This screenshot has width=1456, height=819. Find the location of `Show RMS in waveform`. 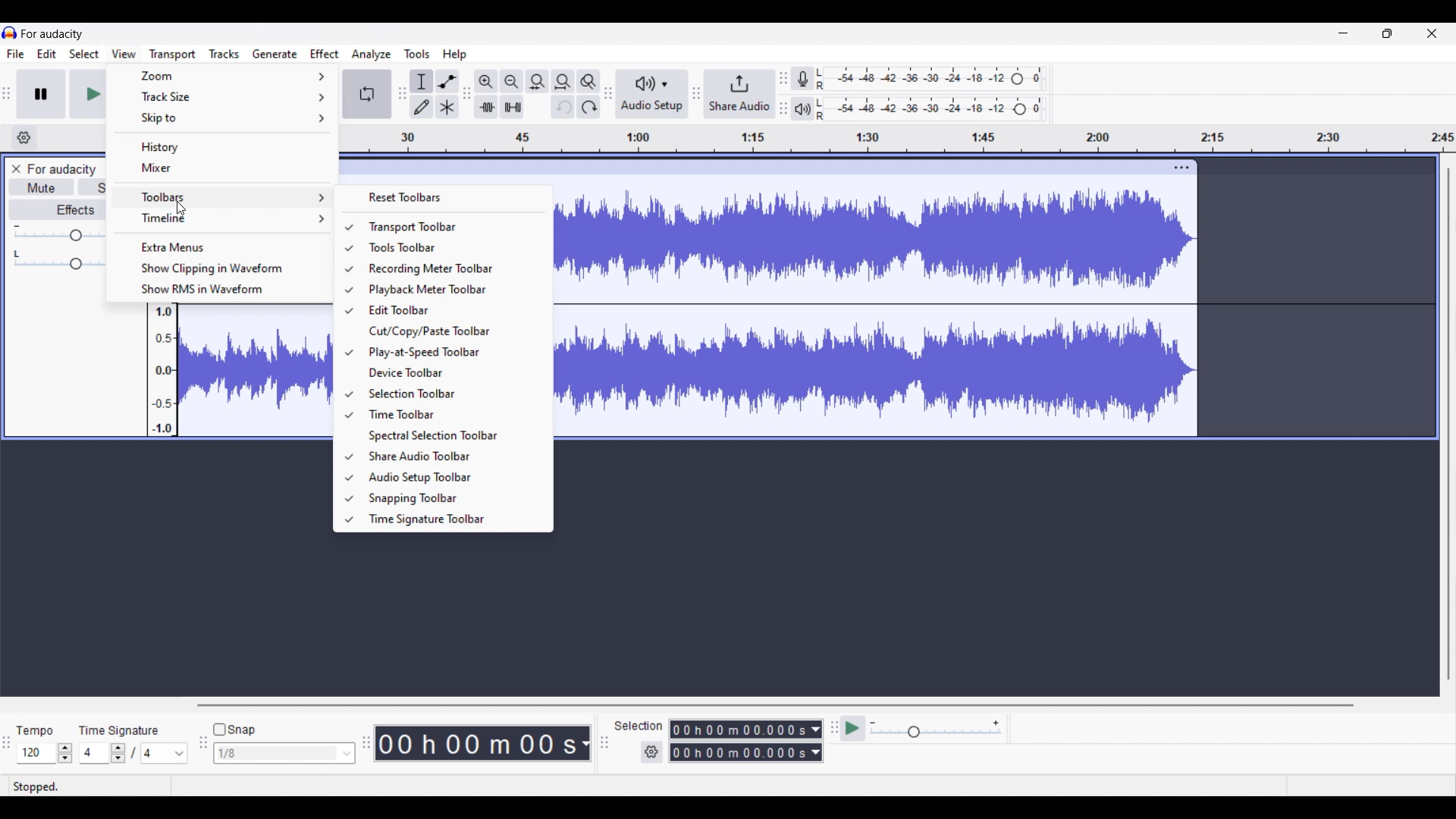

Show RMS in waveform is located at coordinates (219, 290).